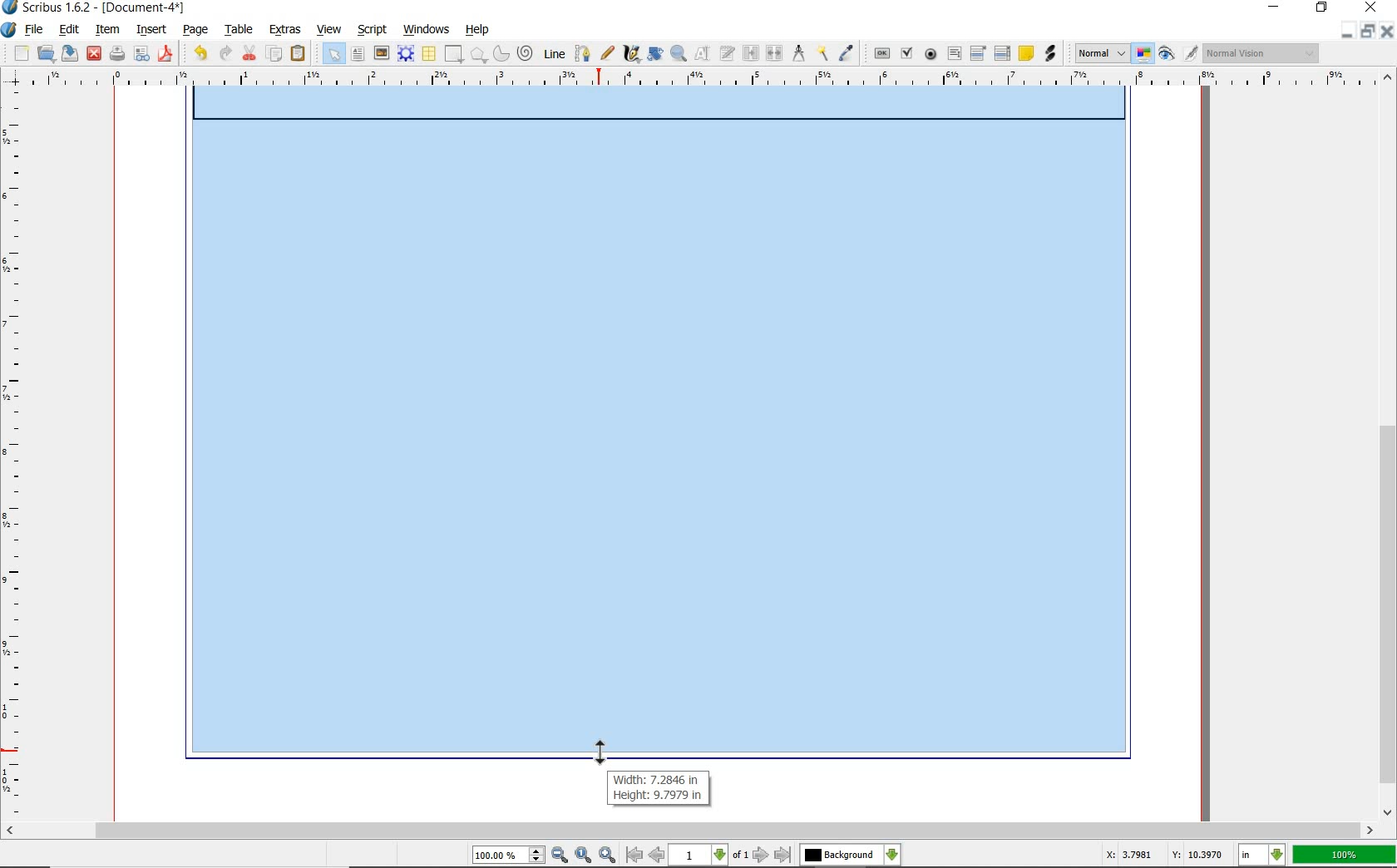 The image size is (1397, 868). I want to click on minimize, so click(1350, 32).